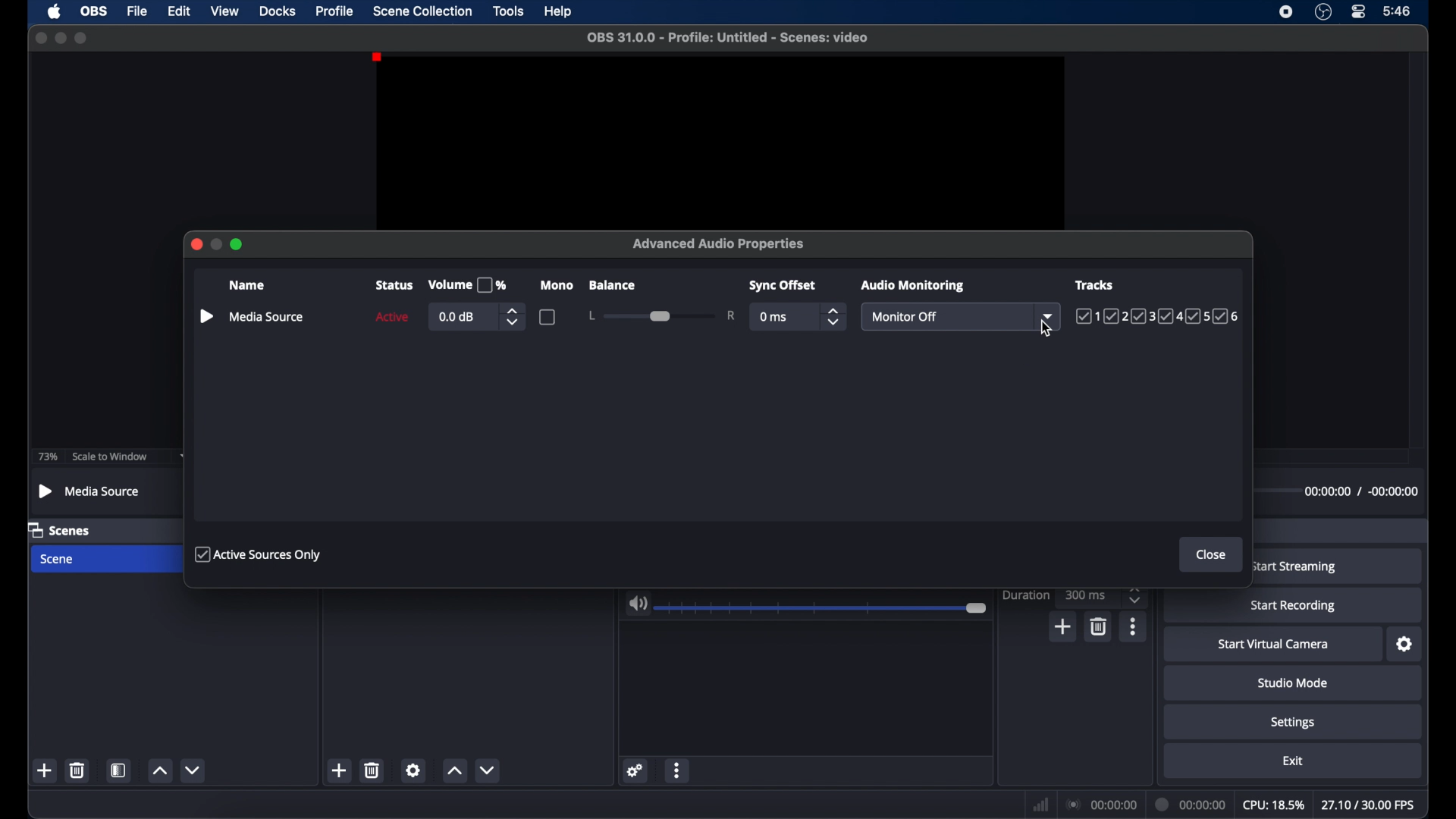  What do you see at coordinates (560, 11) in the screenshot?
I see `help` at bounding box center [560, 11].